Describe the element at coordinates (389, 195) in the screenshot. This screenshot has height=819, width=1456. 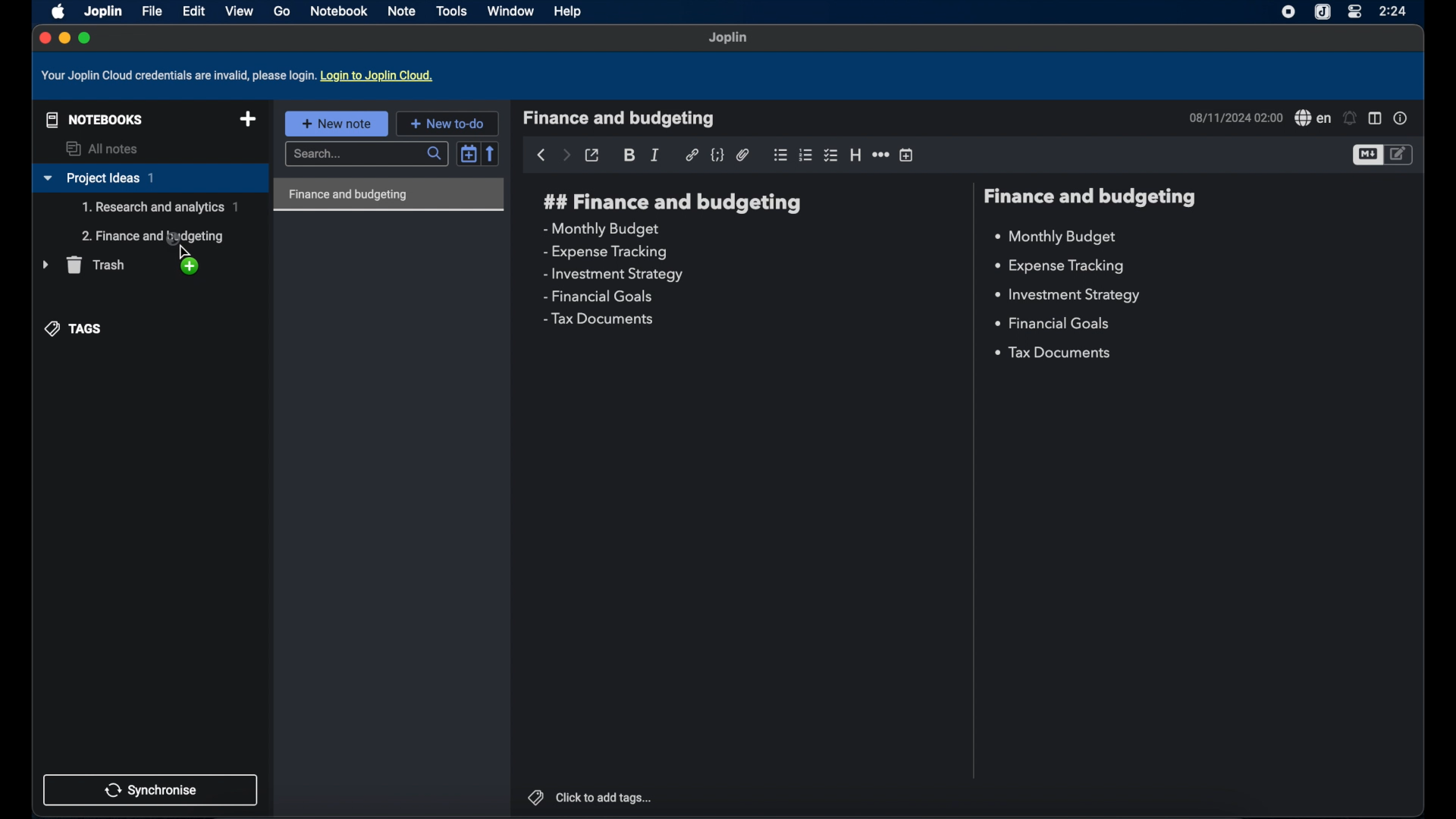
I see `finance and budgeting highlighted` at that location.